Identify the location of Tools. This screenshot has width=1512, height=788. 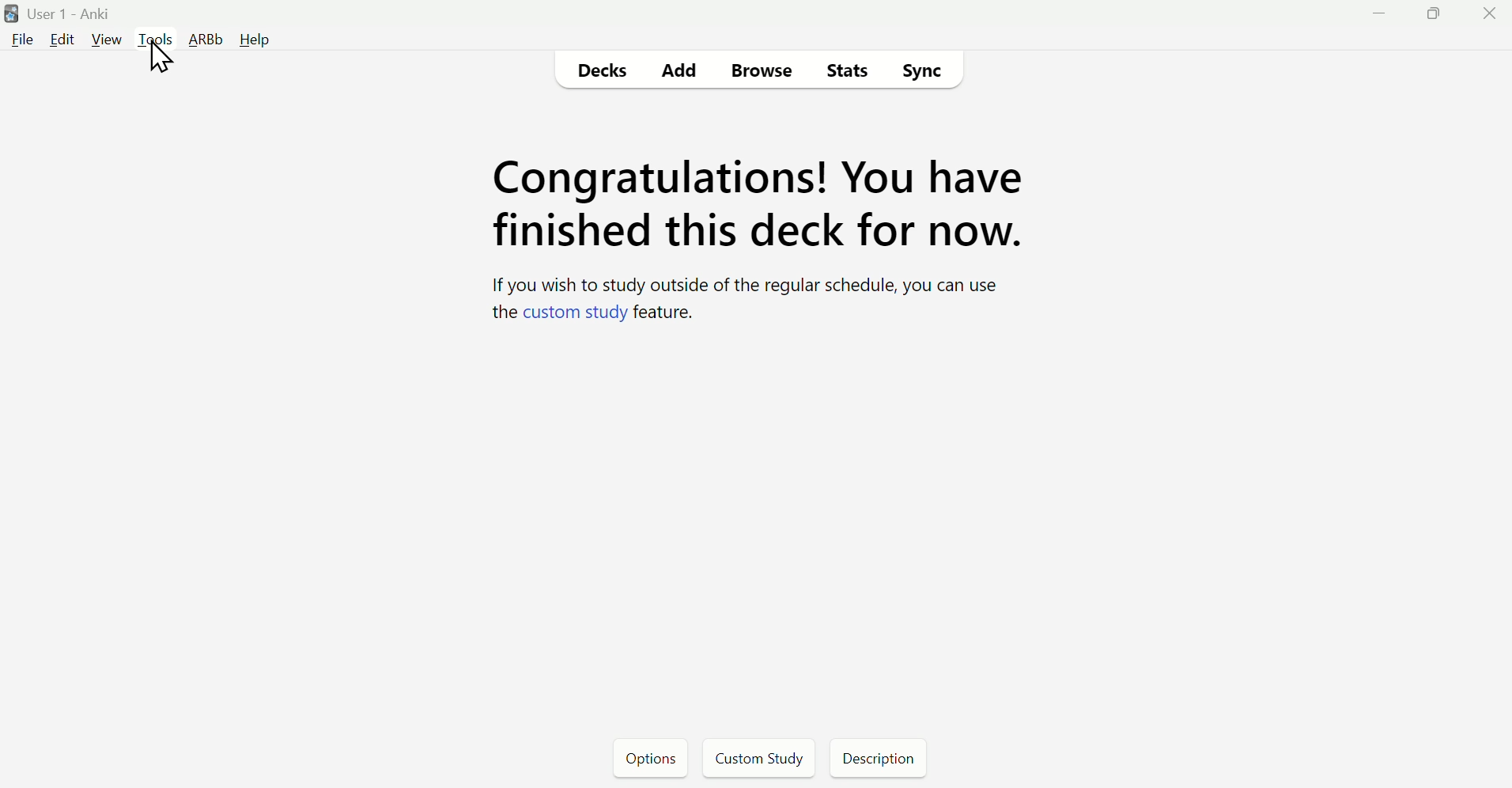
(157, 40).